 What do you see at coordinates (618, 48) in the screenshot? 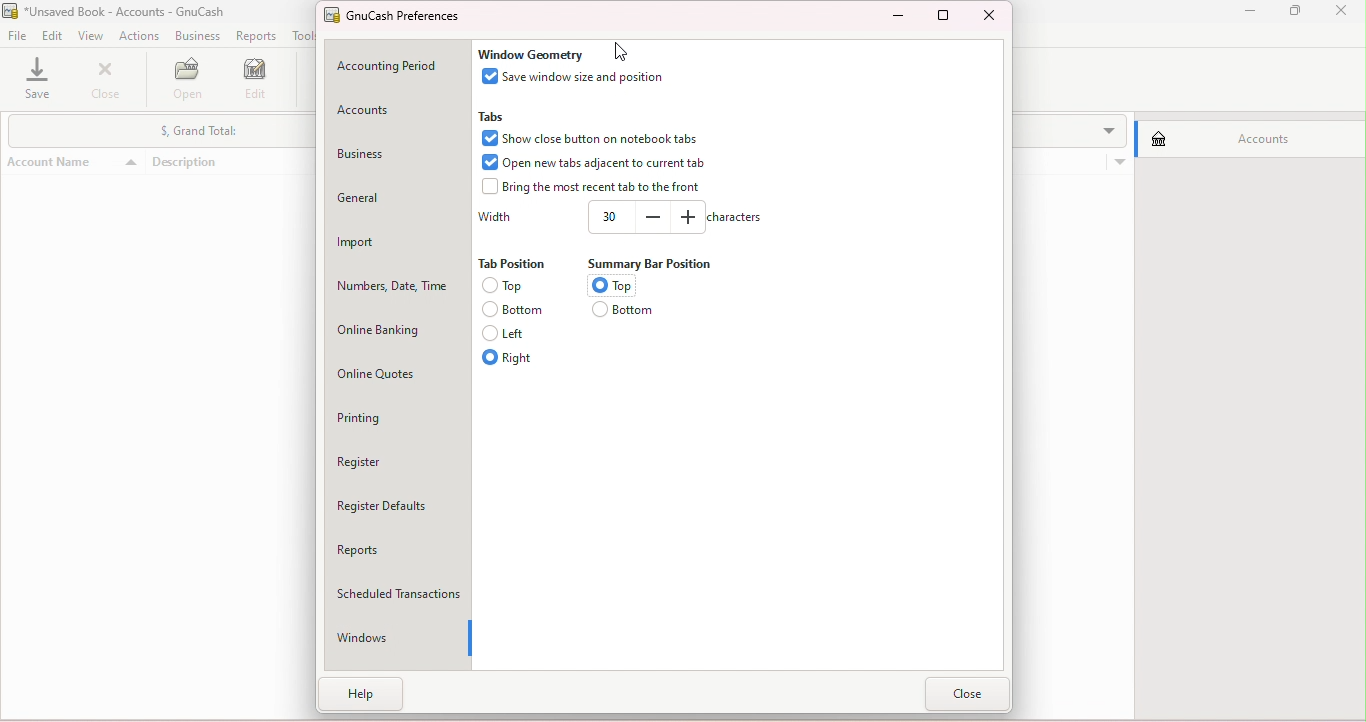
I see `cursor` at bounding box center [618, 48].